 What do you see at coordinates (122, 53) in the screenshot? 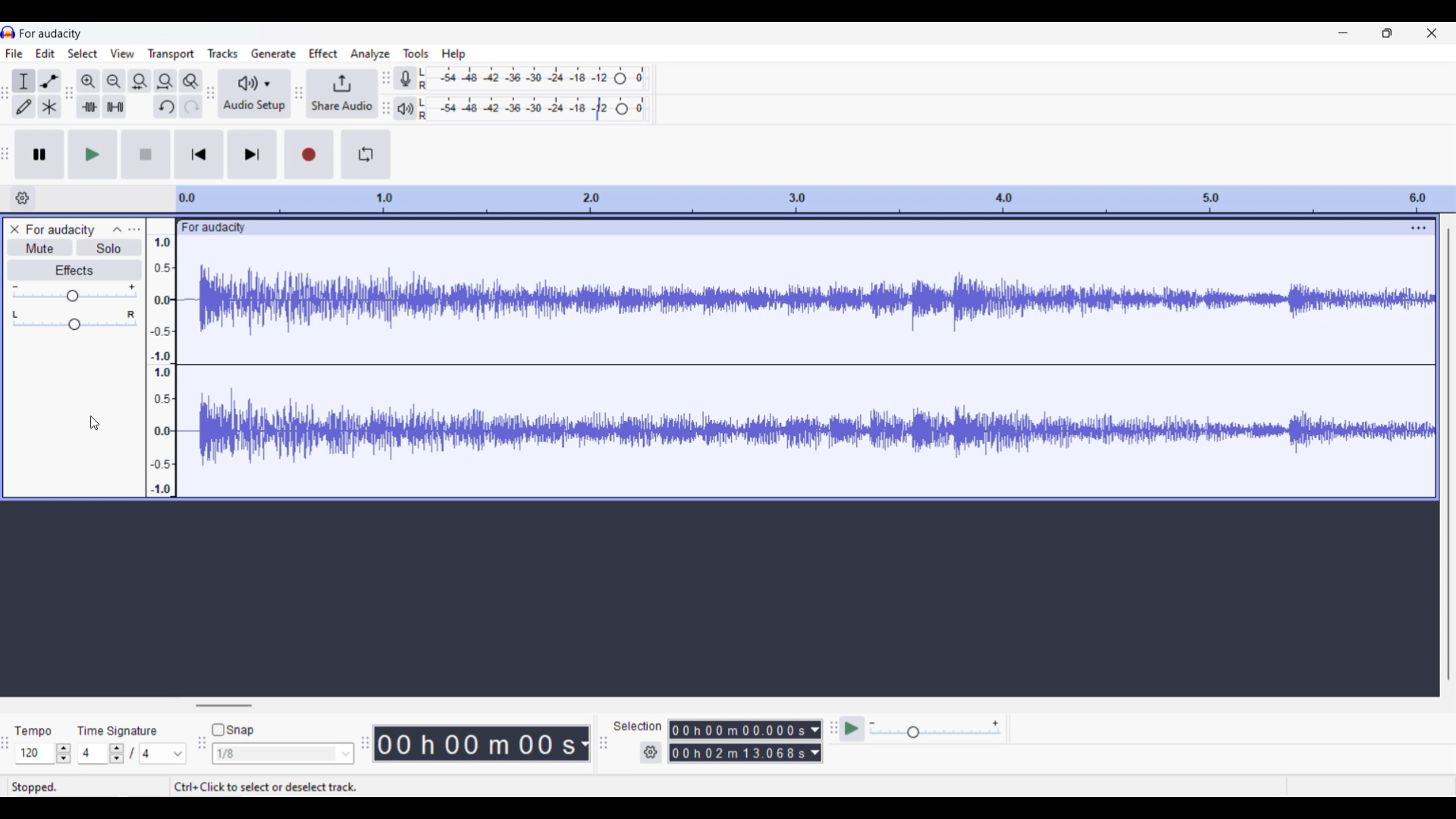
I see `View` at bounding box center [122, 53].